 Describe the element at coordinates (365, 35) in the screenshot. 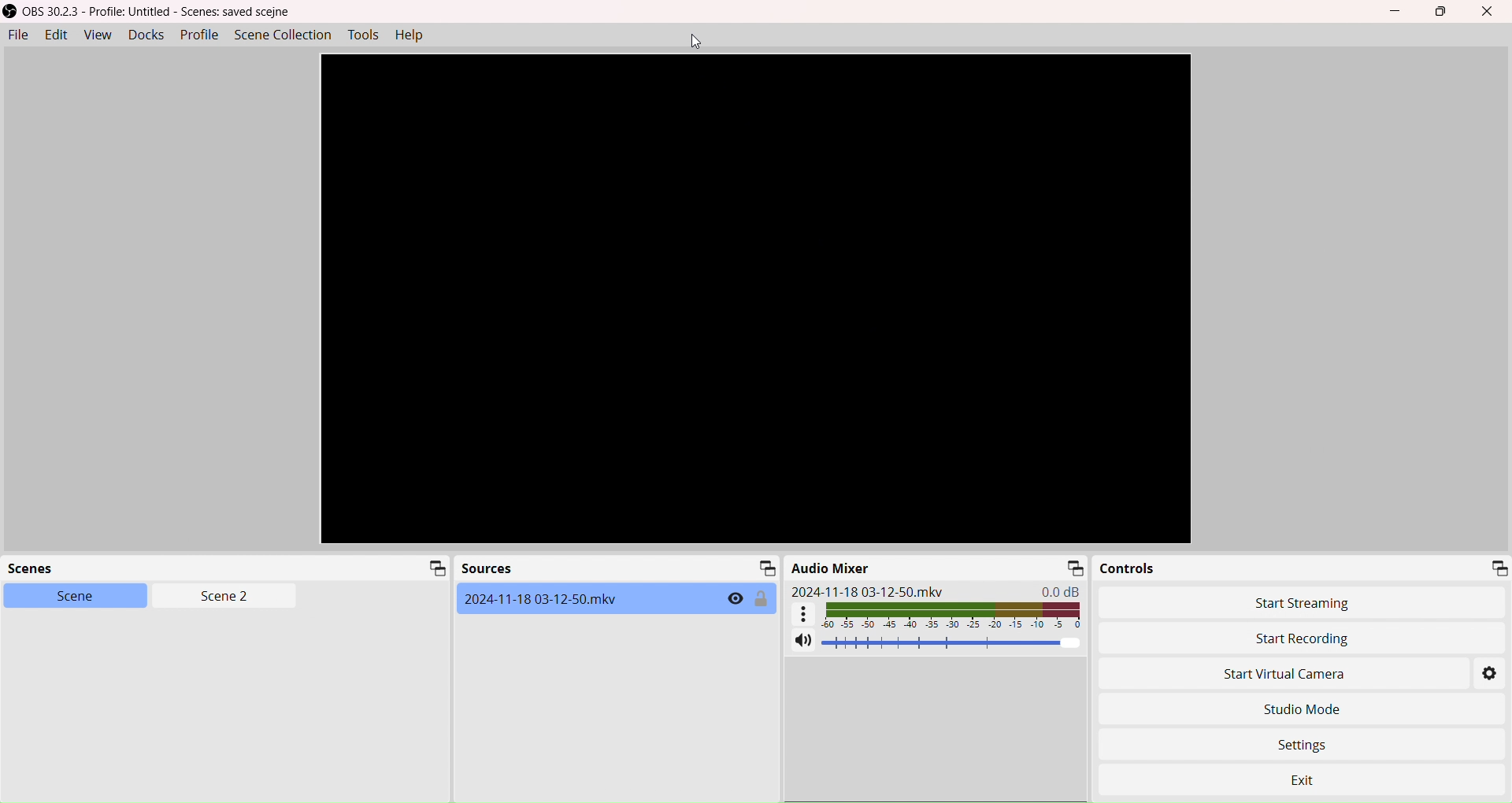

I see `Tools` at that location.